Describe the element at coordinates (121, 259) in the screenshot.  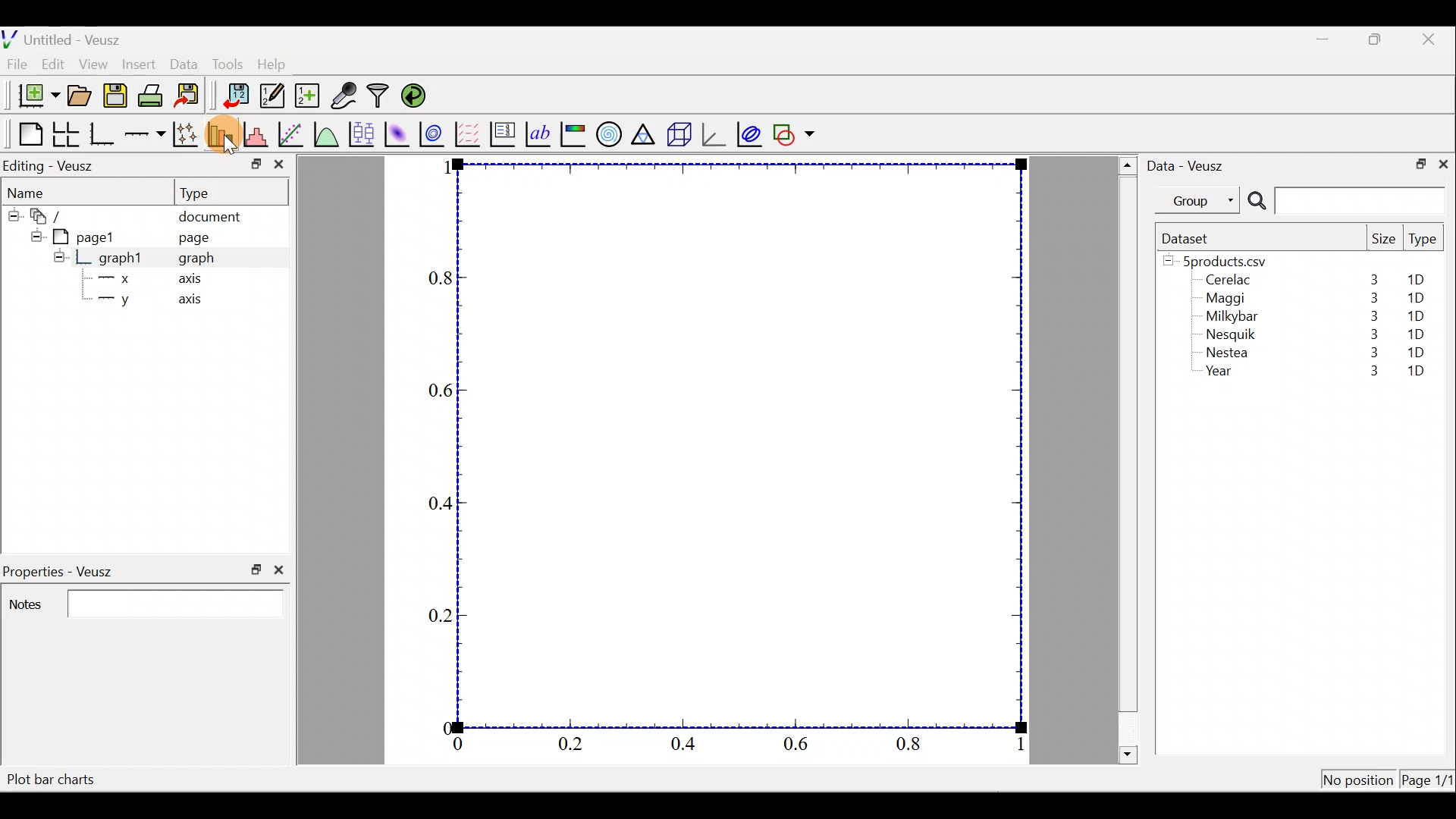
I see `graph1` at that location.